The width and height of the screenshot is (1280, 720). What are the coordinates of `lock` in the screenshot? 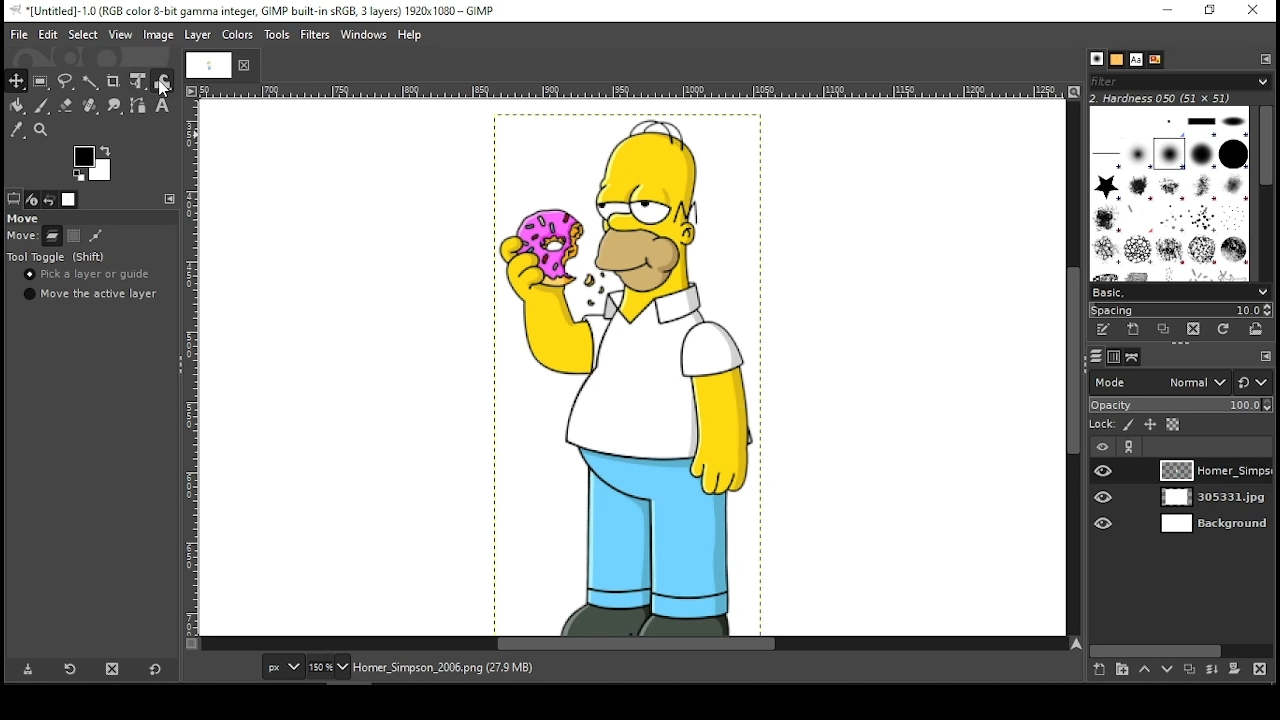 It's located at (1102, 425).